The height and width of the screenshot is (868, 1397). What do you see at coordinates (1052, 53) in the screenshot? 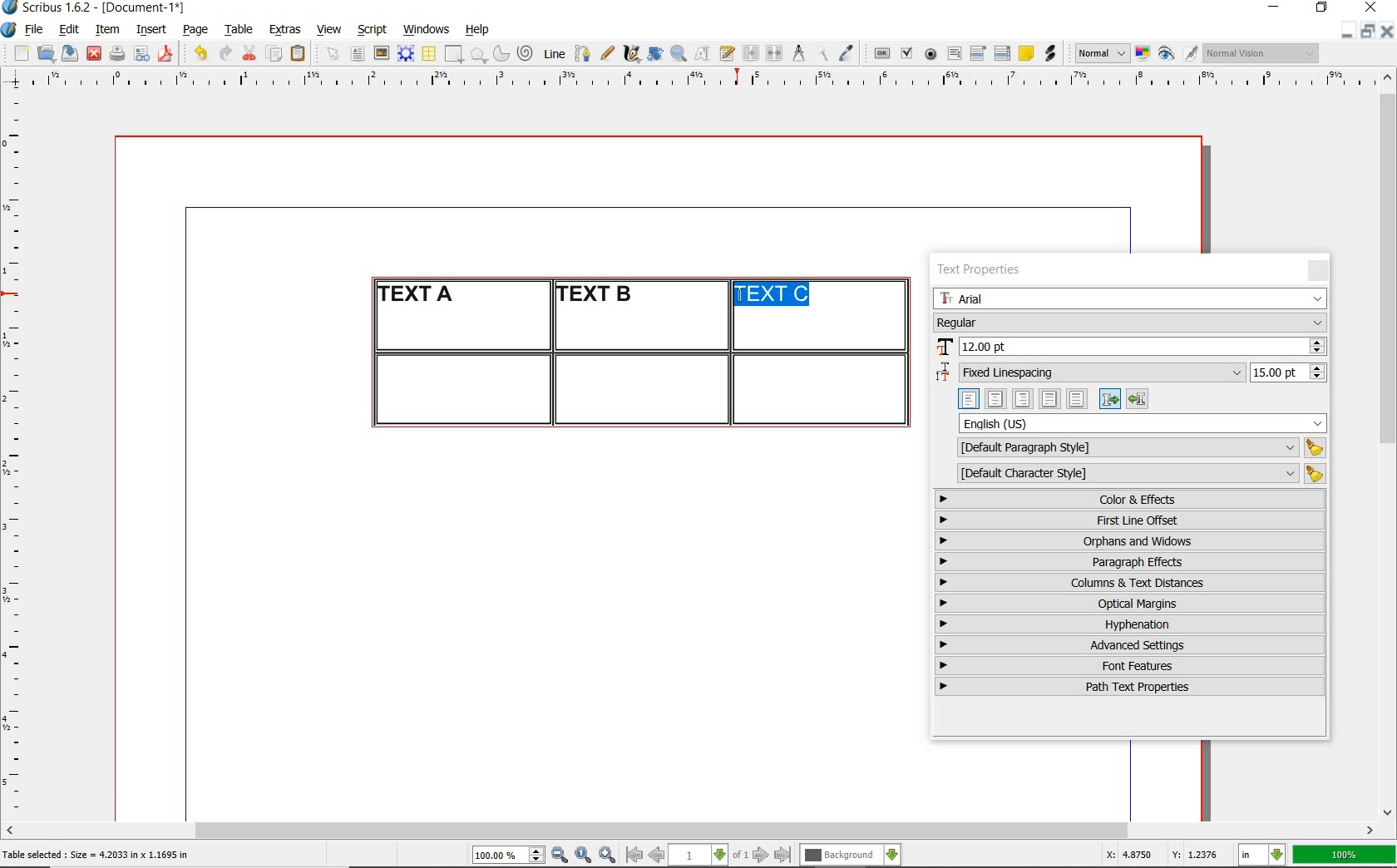
I see `link annotation` at bounding box center [1052, 53].